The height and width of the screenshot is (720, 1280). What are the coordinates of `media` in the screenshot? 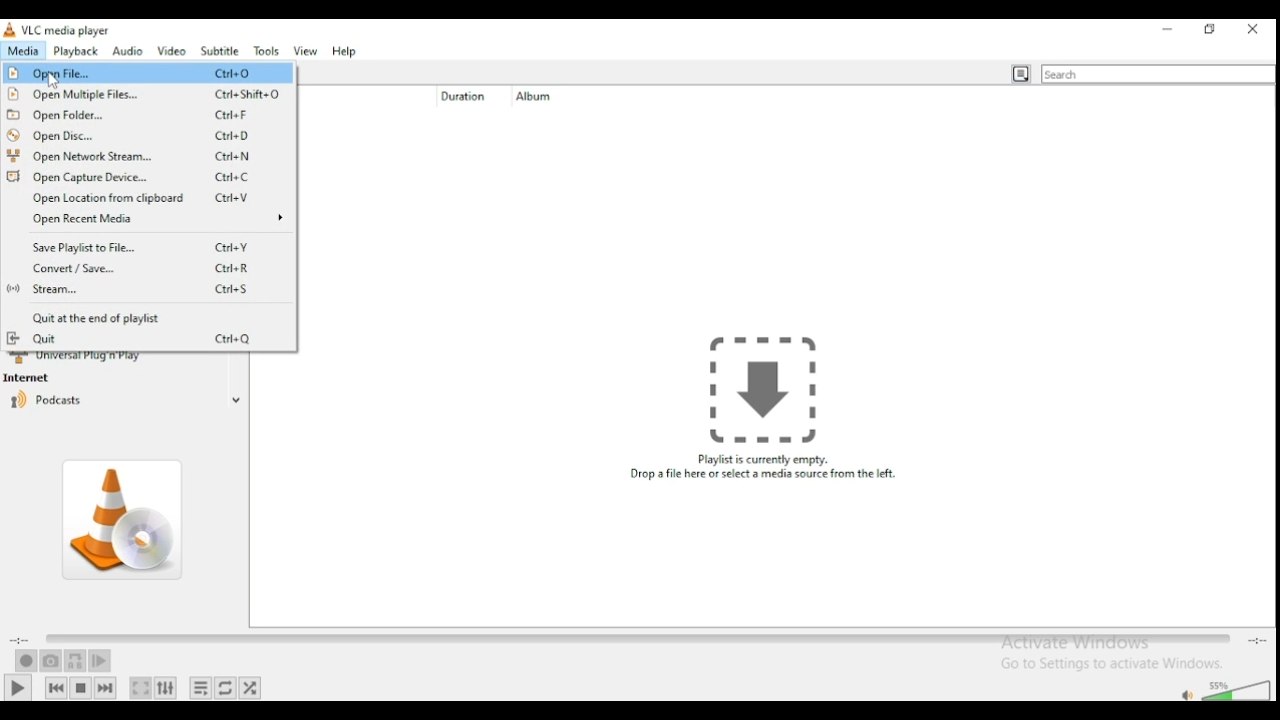 It's located at (24, 51).